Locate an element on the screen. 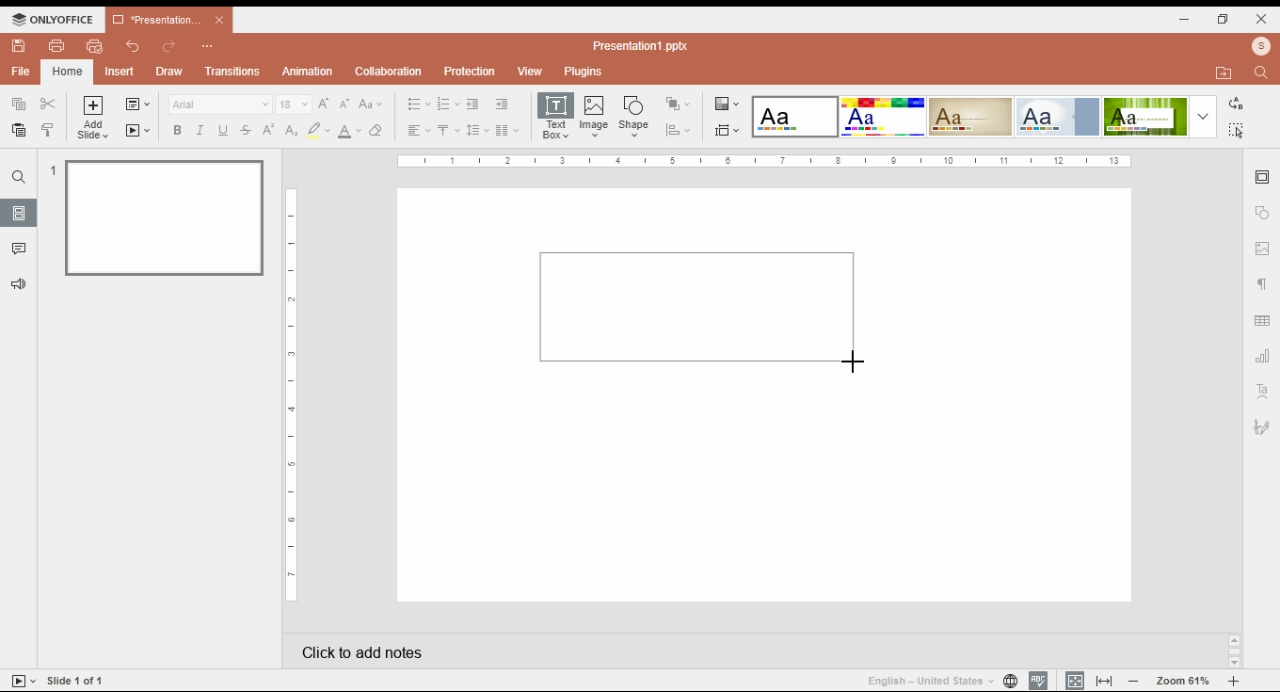 The width and height of the screenshot is (1280, 692). Ruler is located at coordinates (291, 394).